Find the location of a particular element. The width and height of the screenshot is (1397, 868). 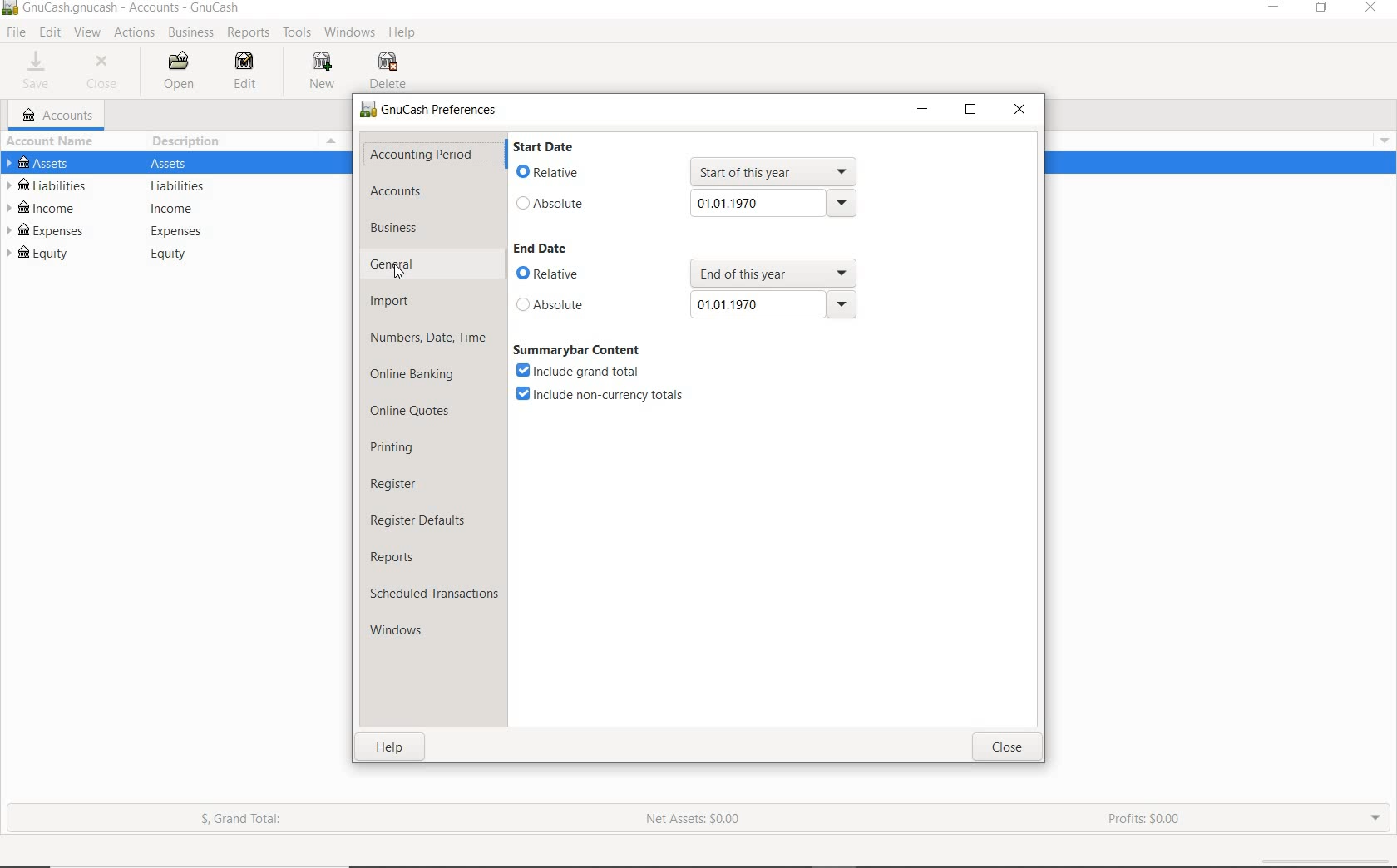

RESTORE DOWN is located at coordinates (1321, 11).